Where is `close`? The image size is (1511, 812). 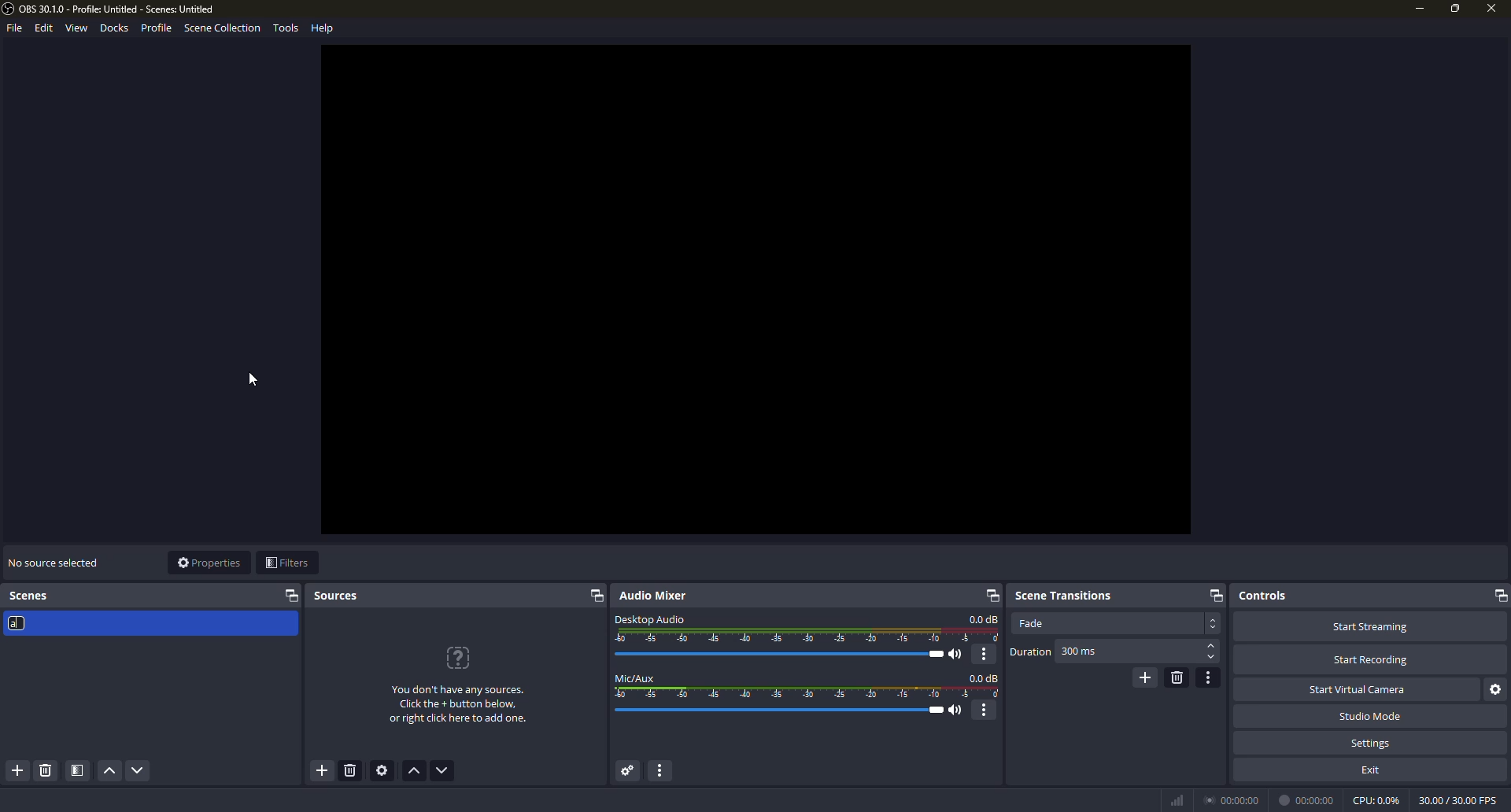 close is located at coordinates (1489, 10).